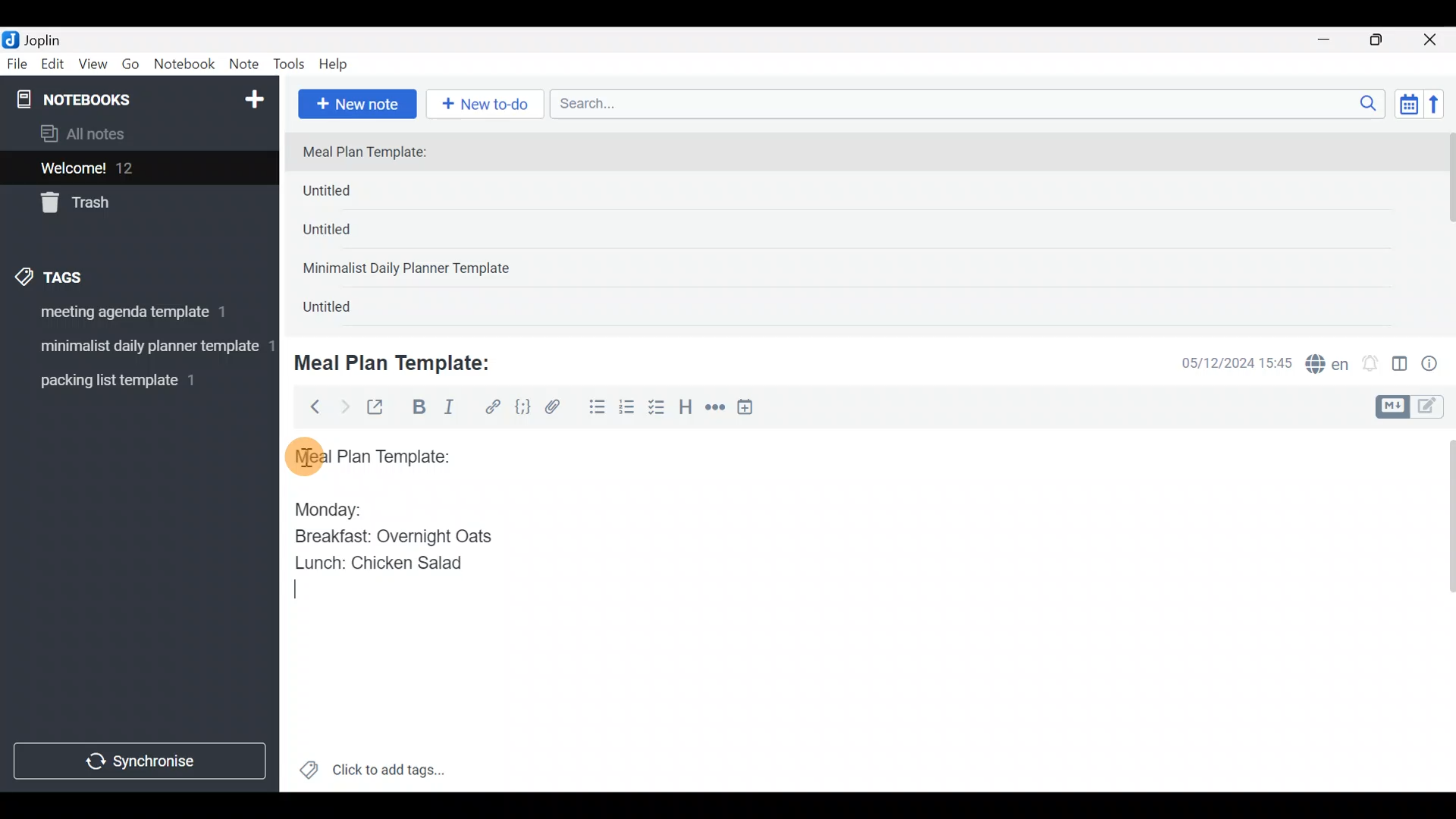 The image size is (1456, 819). What do you see at coordinates (418, 409) in the screenshot?
I see `Bold` at bounding box center [418, 409].